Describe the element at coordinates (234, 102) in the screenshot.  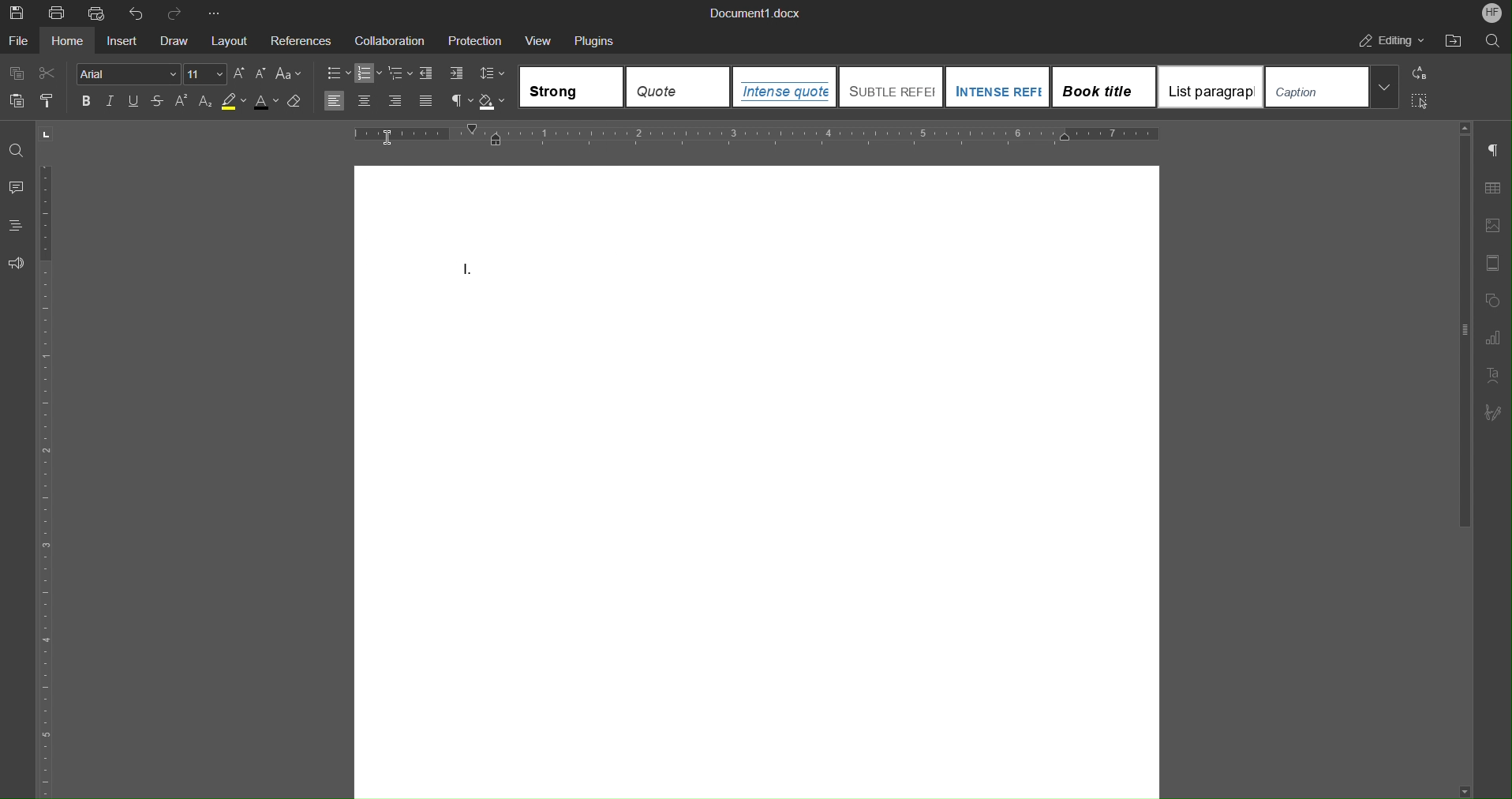
I see `Highlight` at that location.